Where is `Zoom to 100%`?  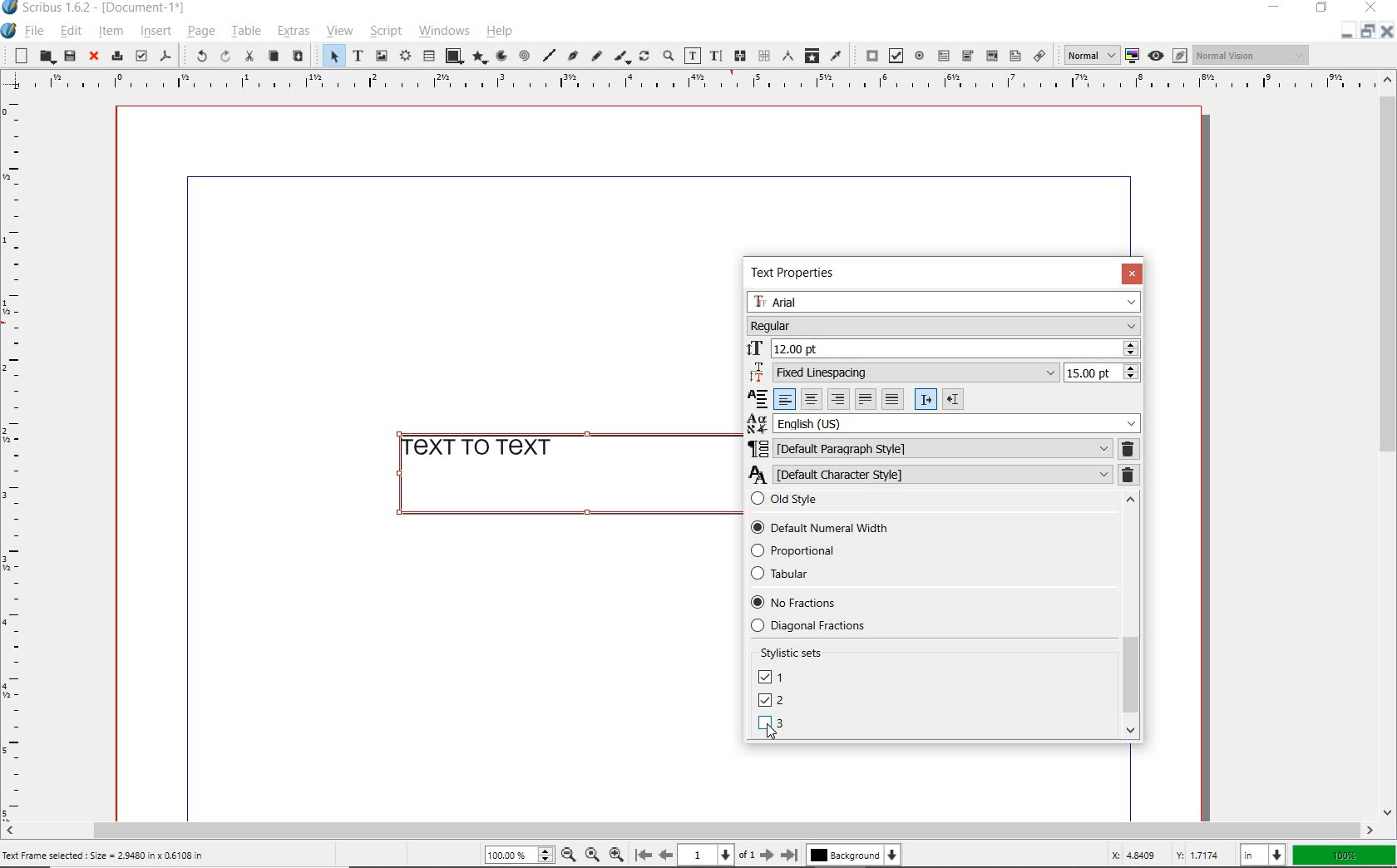 Zoom to 100% is located at coordinates (590, 854).